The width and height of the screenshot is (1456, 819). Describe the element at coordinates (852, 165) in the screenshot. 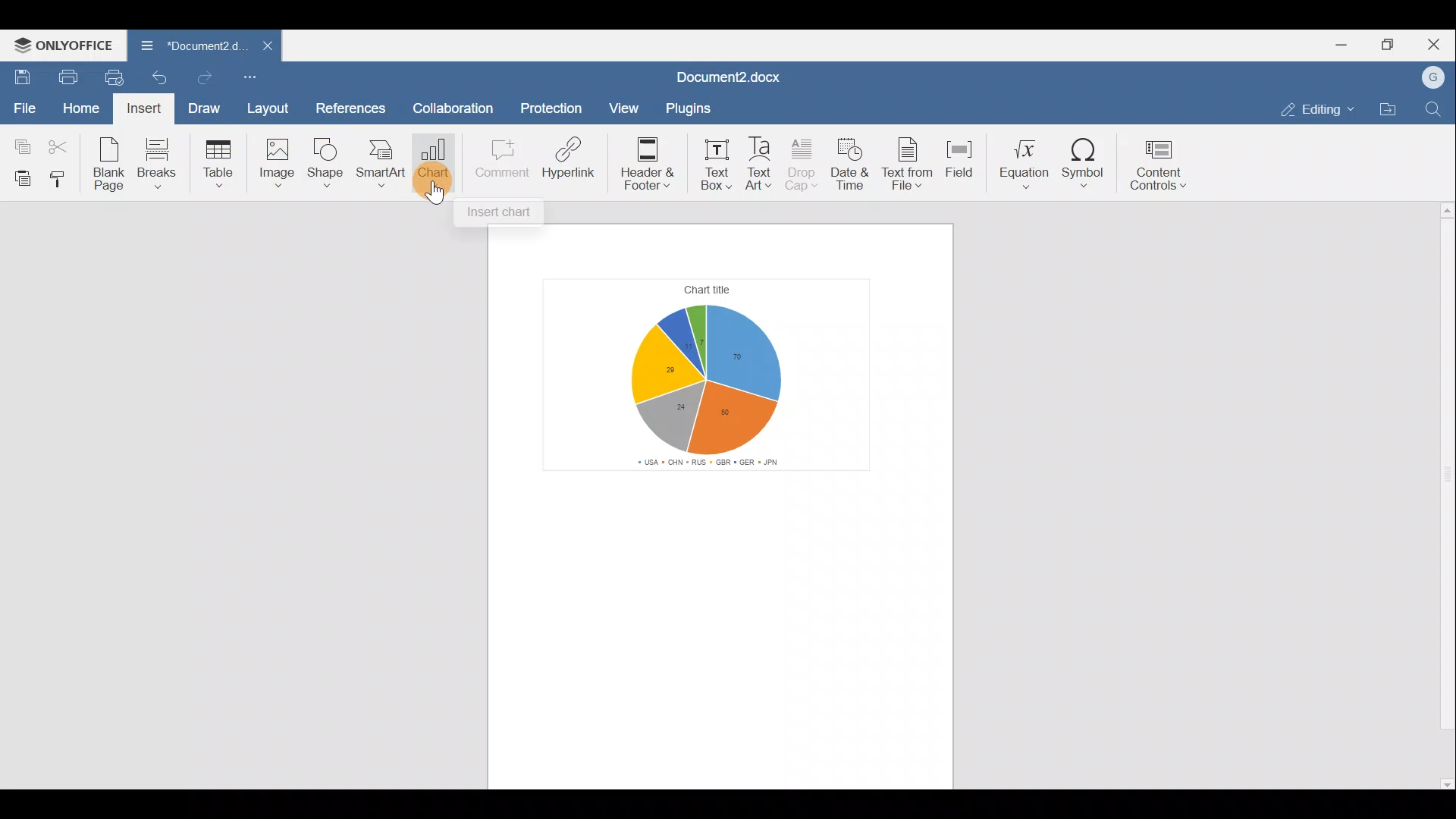

I see `Date & time` at that location.